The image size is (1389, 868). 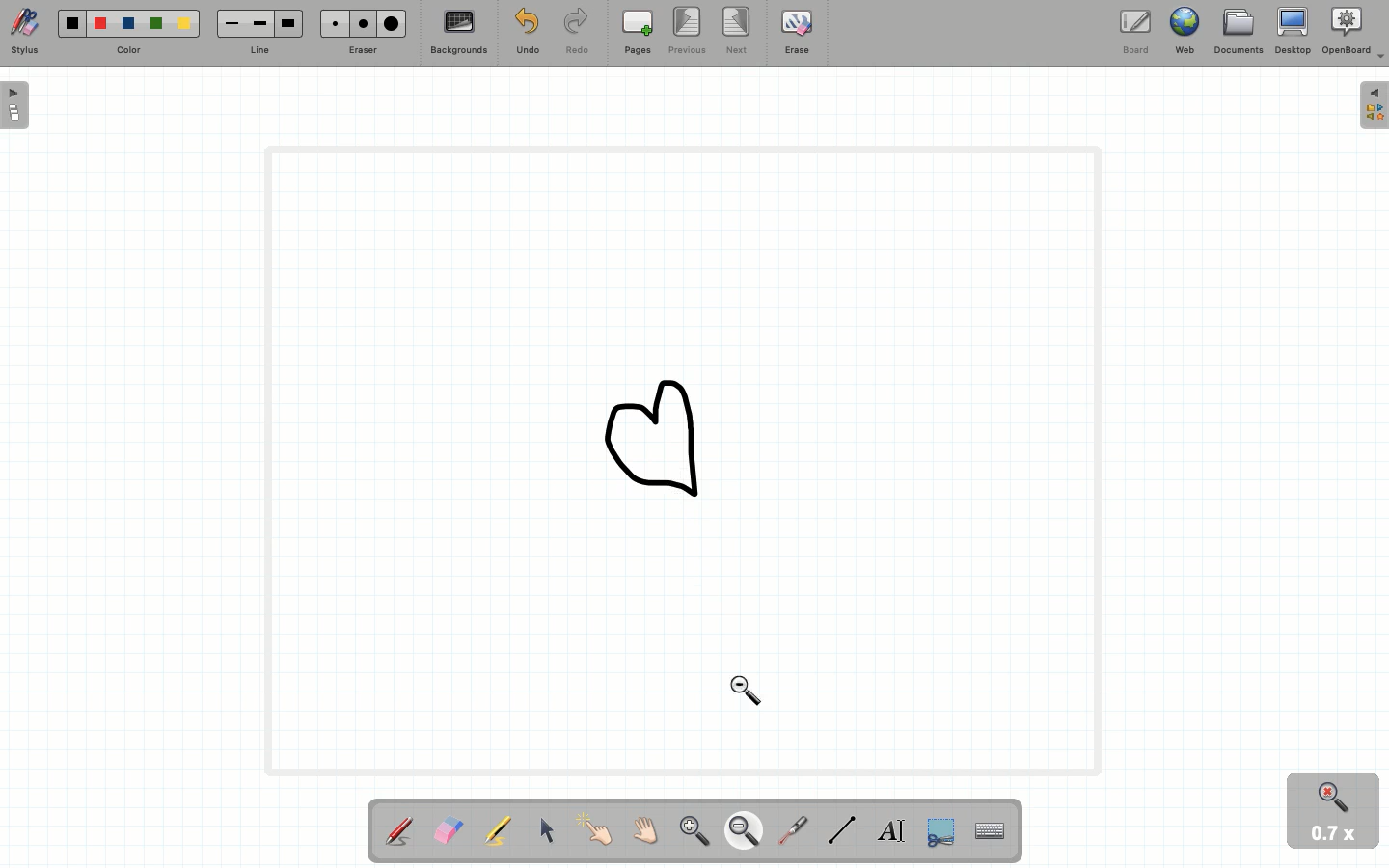 I want to click on Laser pointer, so click(x=794, y=827).